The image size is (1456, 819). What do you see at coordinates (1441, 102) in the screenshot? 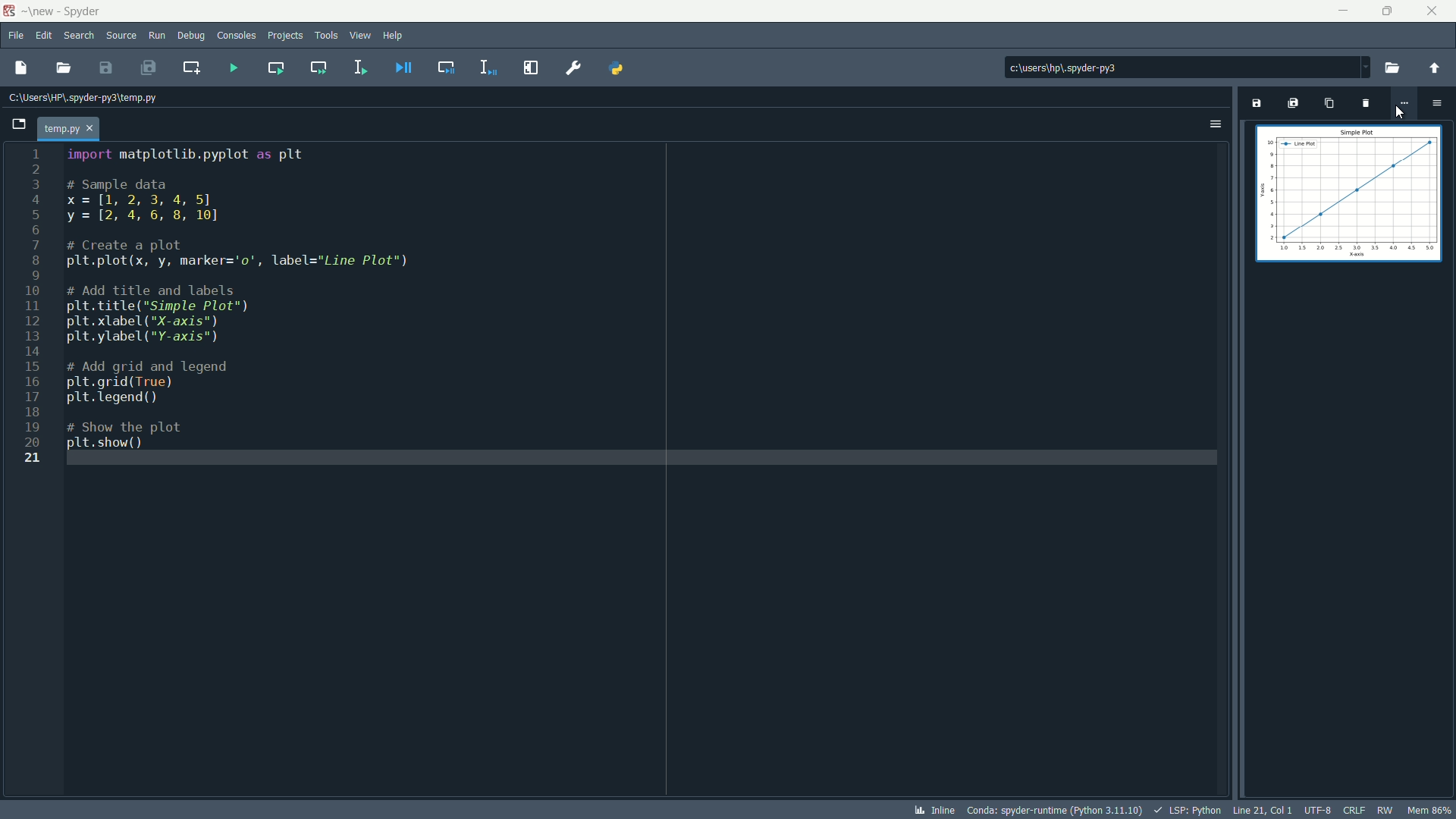
I see `options` at bounding box center [1441, 102].